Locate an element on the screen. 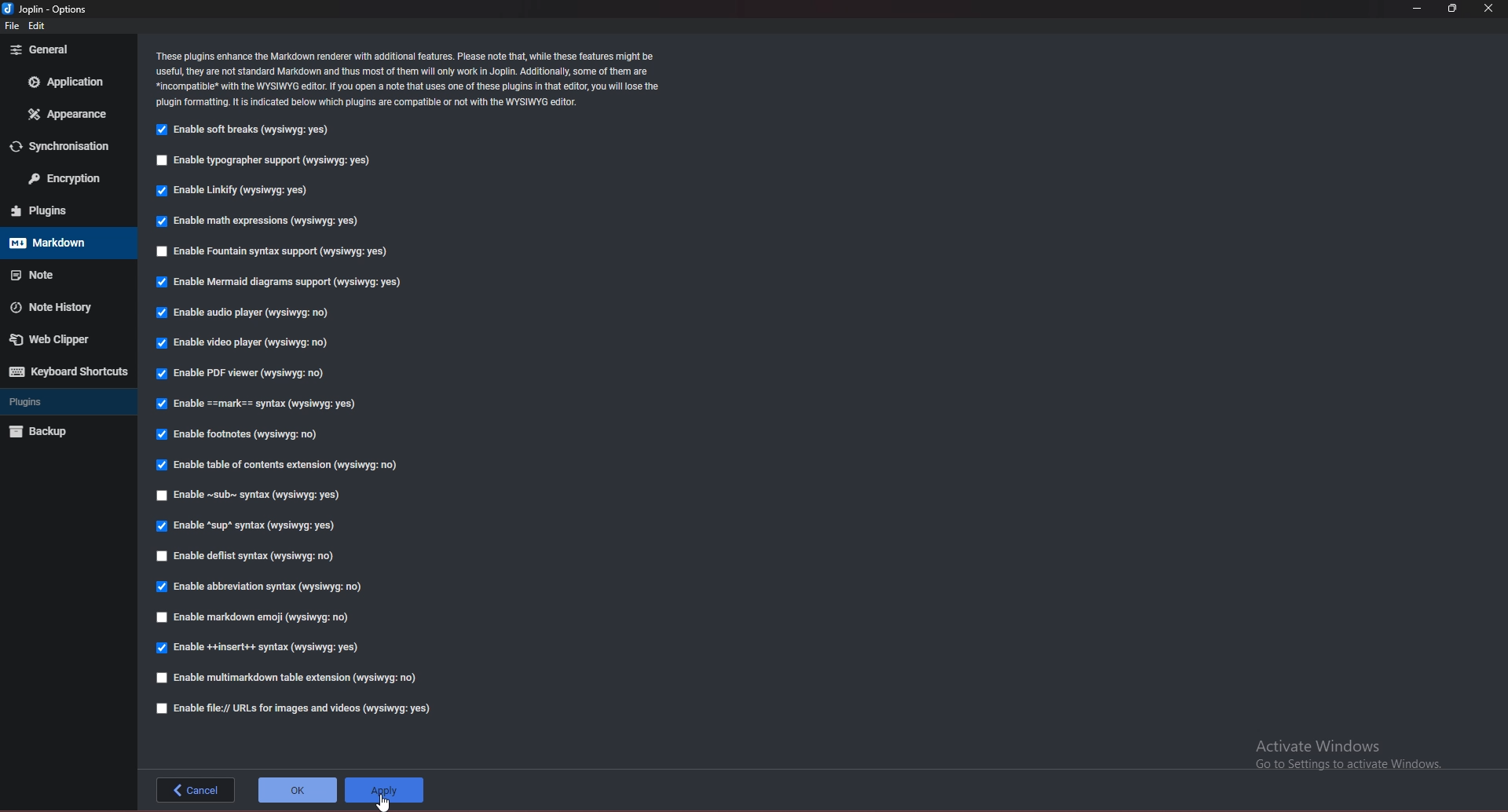 The height and width of the screenshot is (812, 1508). back is located at coordinates (196, 789).